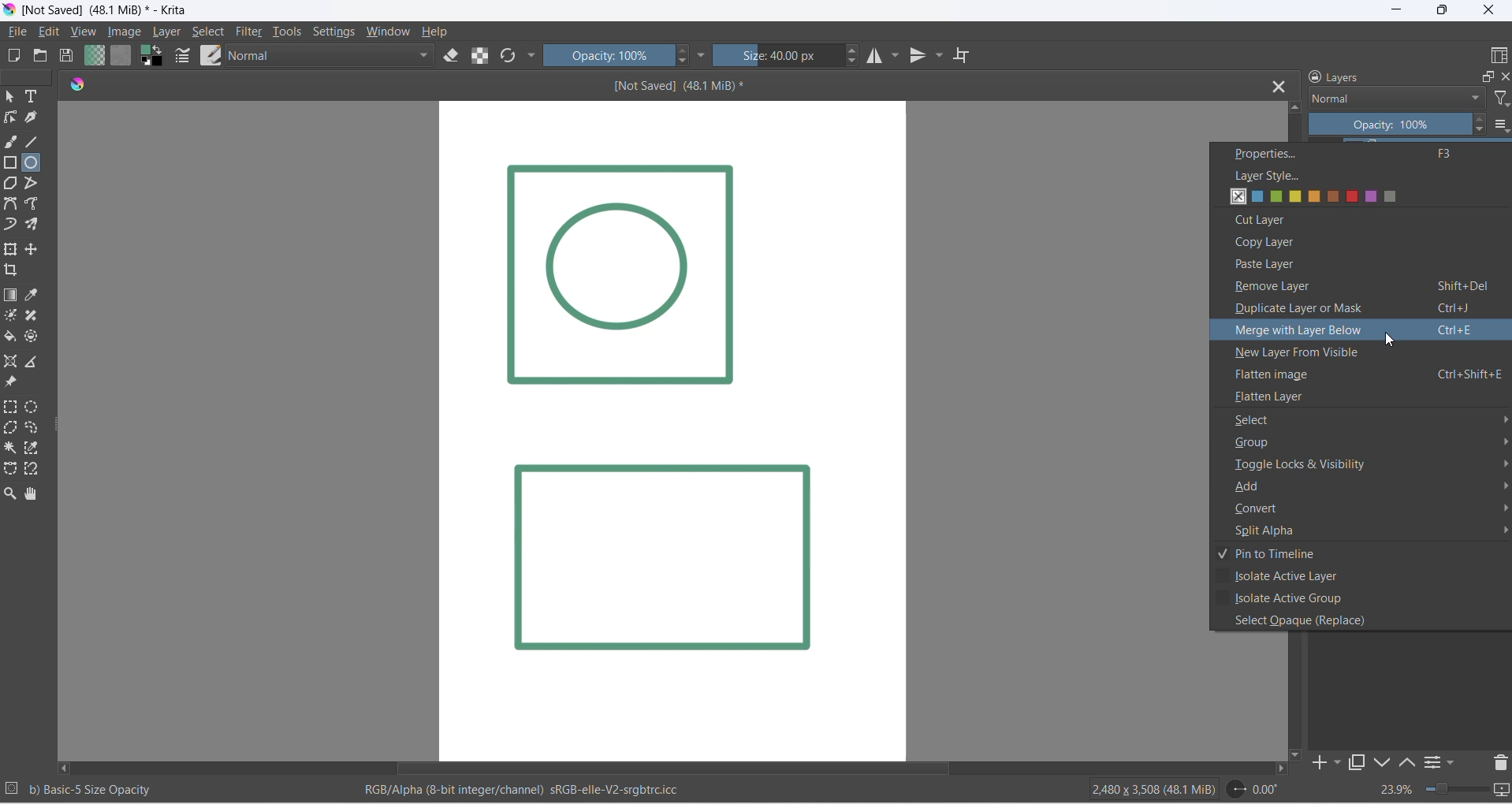 This screenshot has height=804, width=1512. Describe the element at coordinates (1443, 12) in the screenshot. I see `maximize` at that location.